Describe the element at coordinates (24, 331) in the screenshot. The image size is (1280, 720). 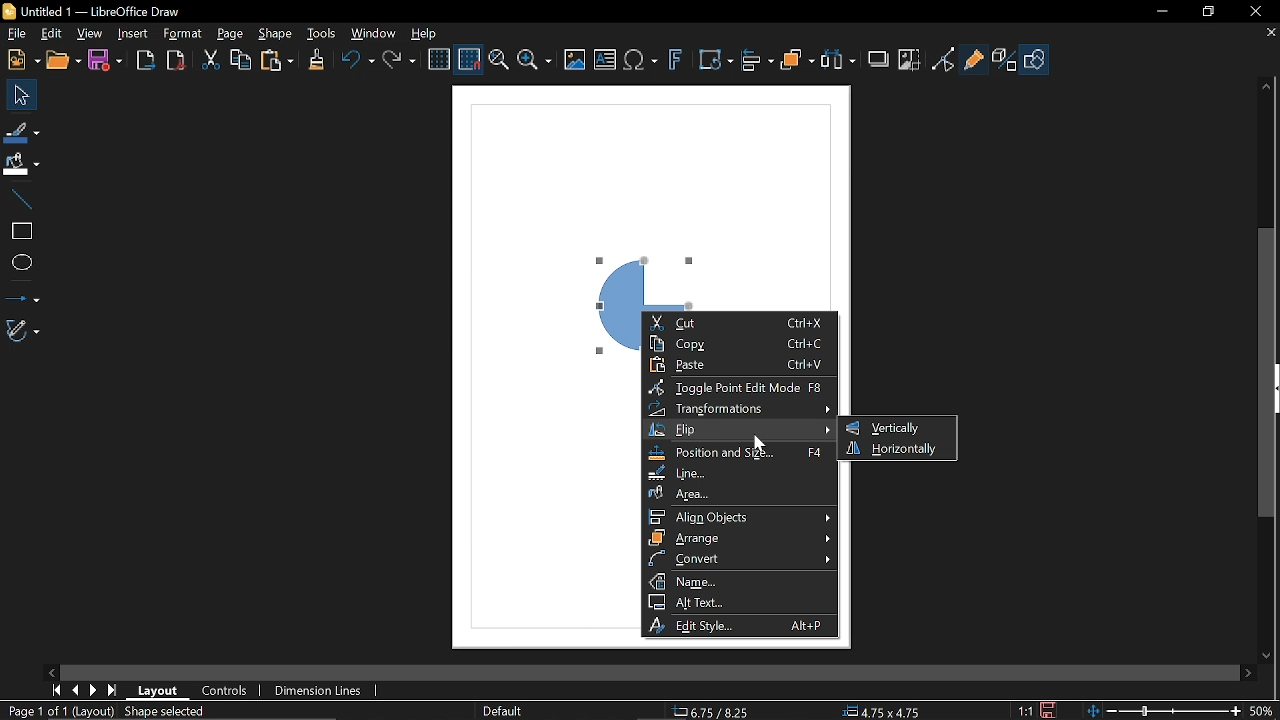
I see `Curve and polygon` at that location.